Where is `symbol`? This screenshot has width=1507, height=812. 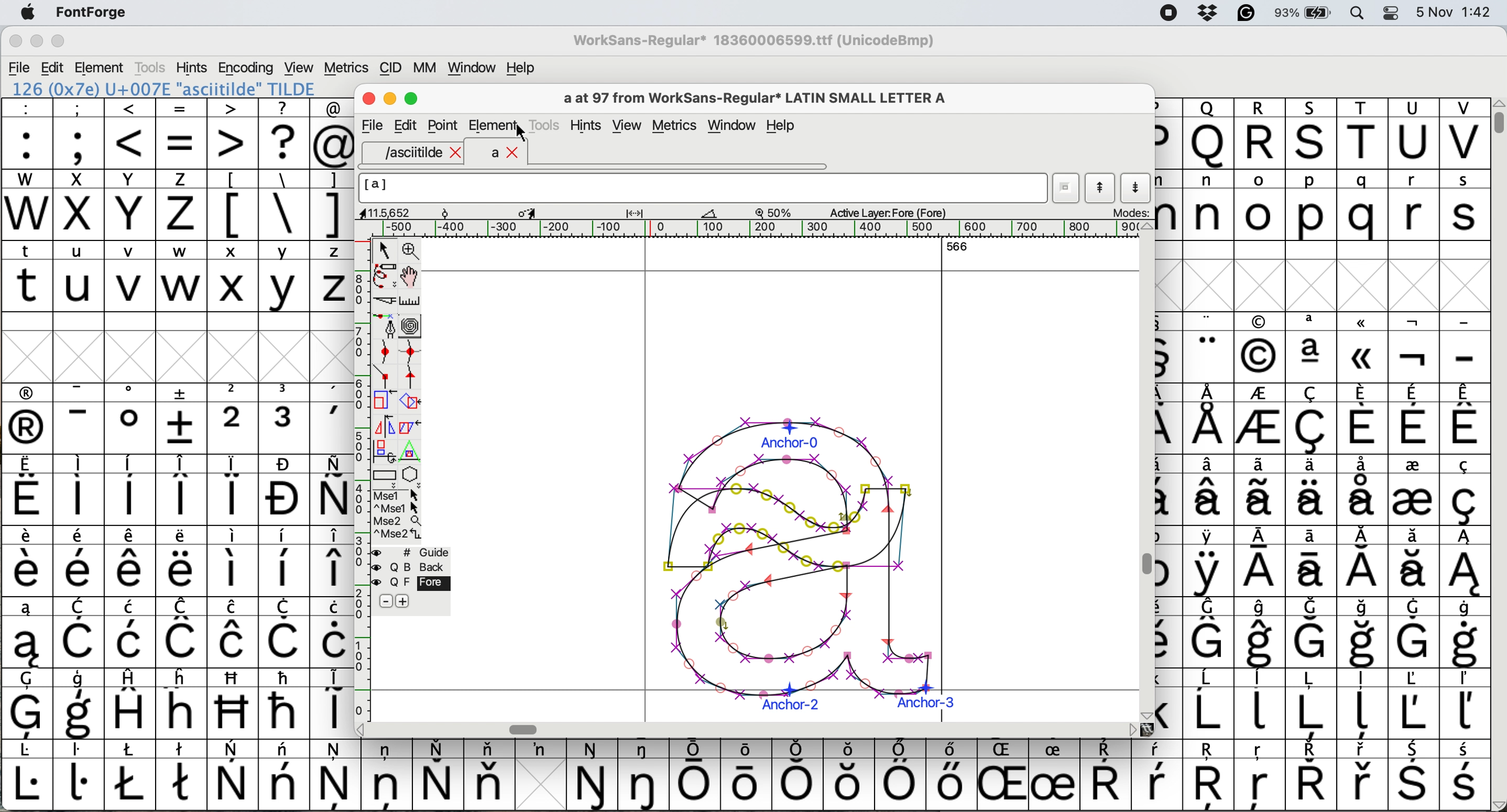
symbol is located at coordinates (1364, 776).